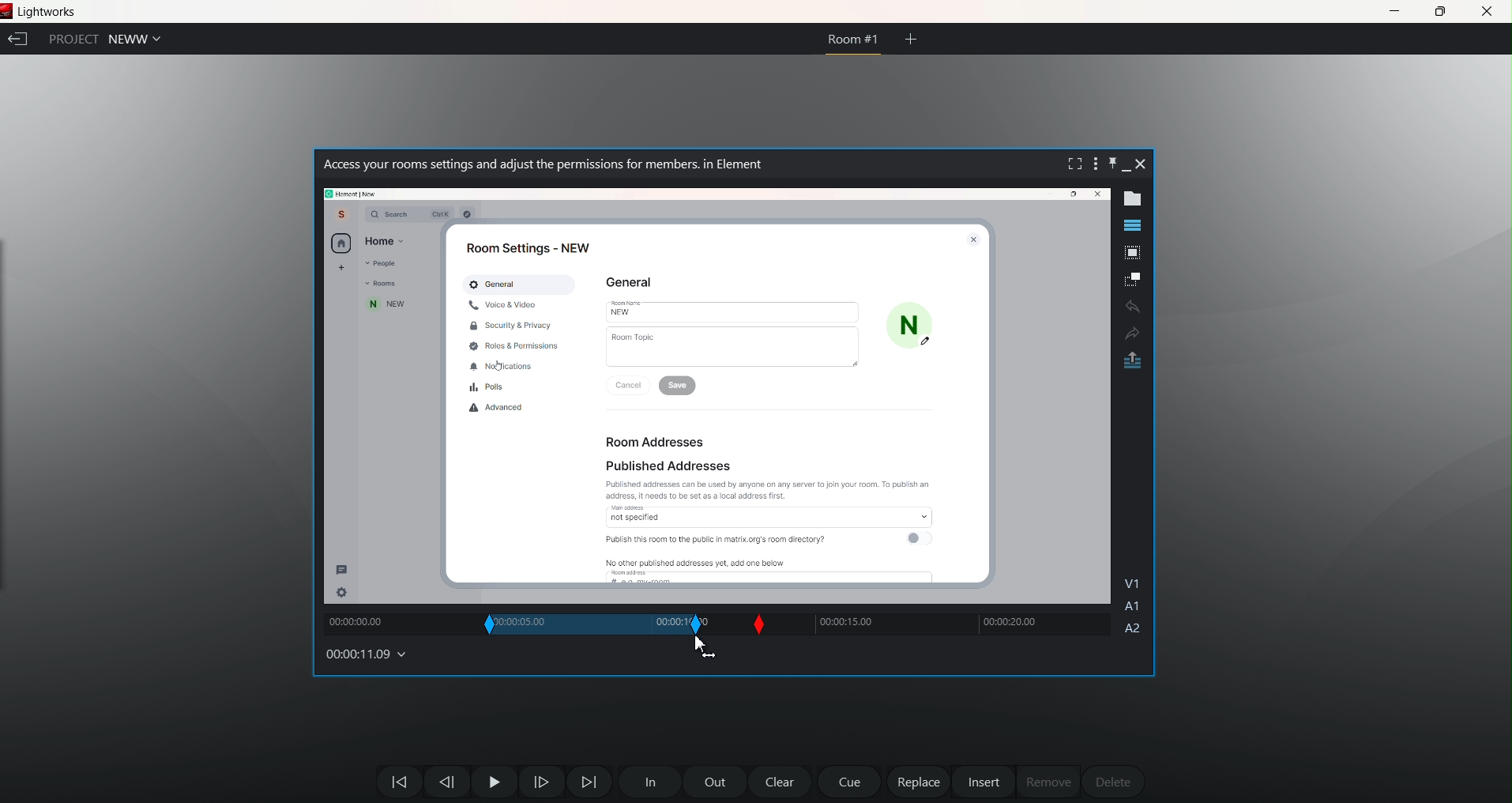 Image resolution: width=1512 pixels, height=803 pixels. Describe the element at coordinates (1135, 307) in the screenshot. I see `undo` at that location.